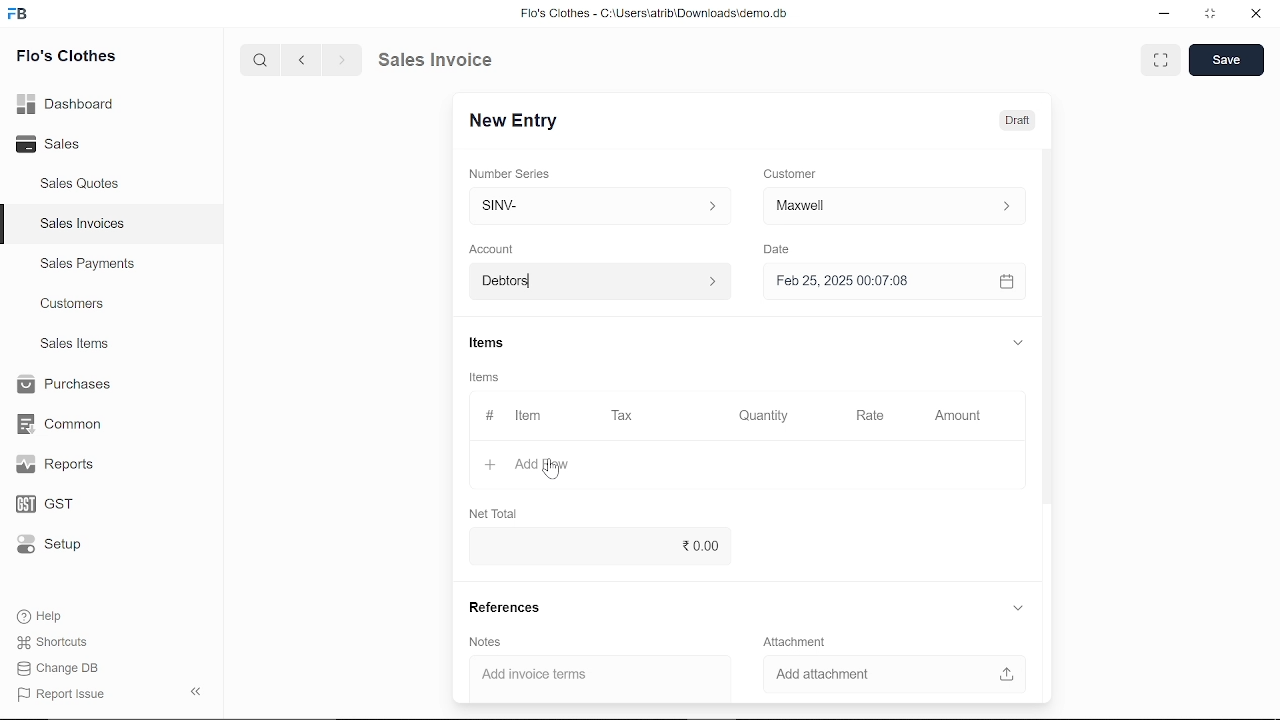 The height and width of the screenshot is (720, 1280). I want to click on previous, so click(303, 60).